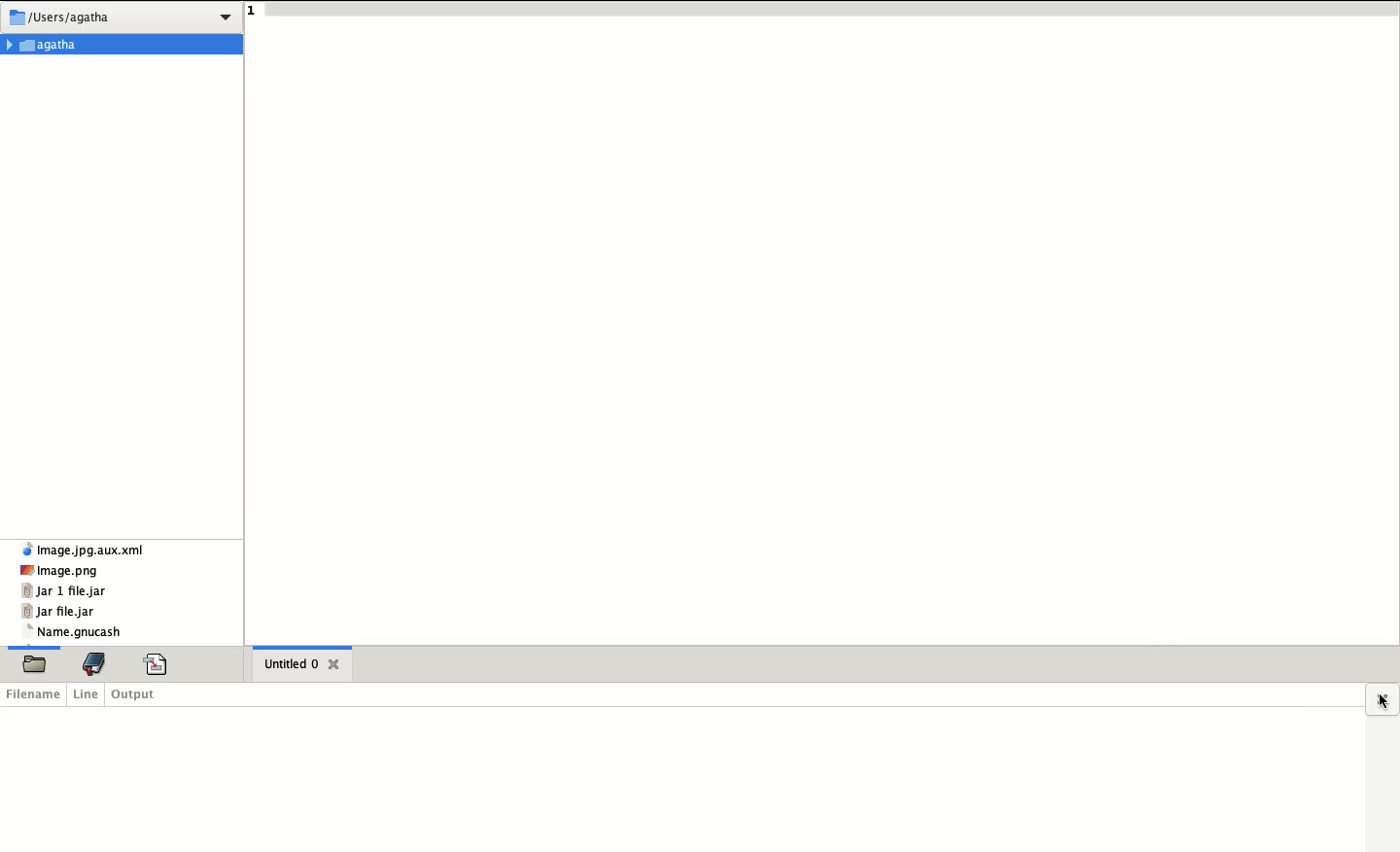 Image resolution: width=1400 pixels, height=852 pixels. What do you see at coordinates (59, 611) in the screenshot?
I see `jar file.jar` at bounding box center [59, 611].